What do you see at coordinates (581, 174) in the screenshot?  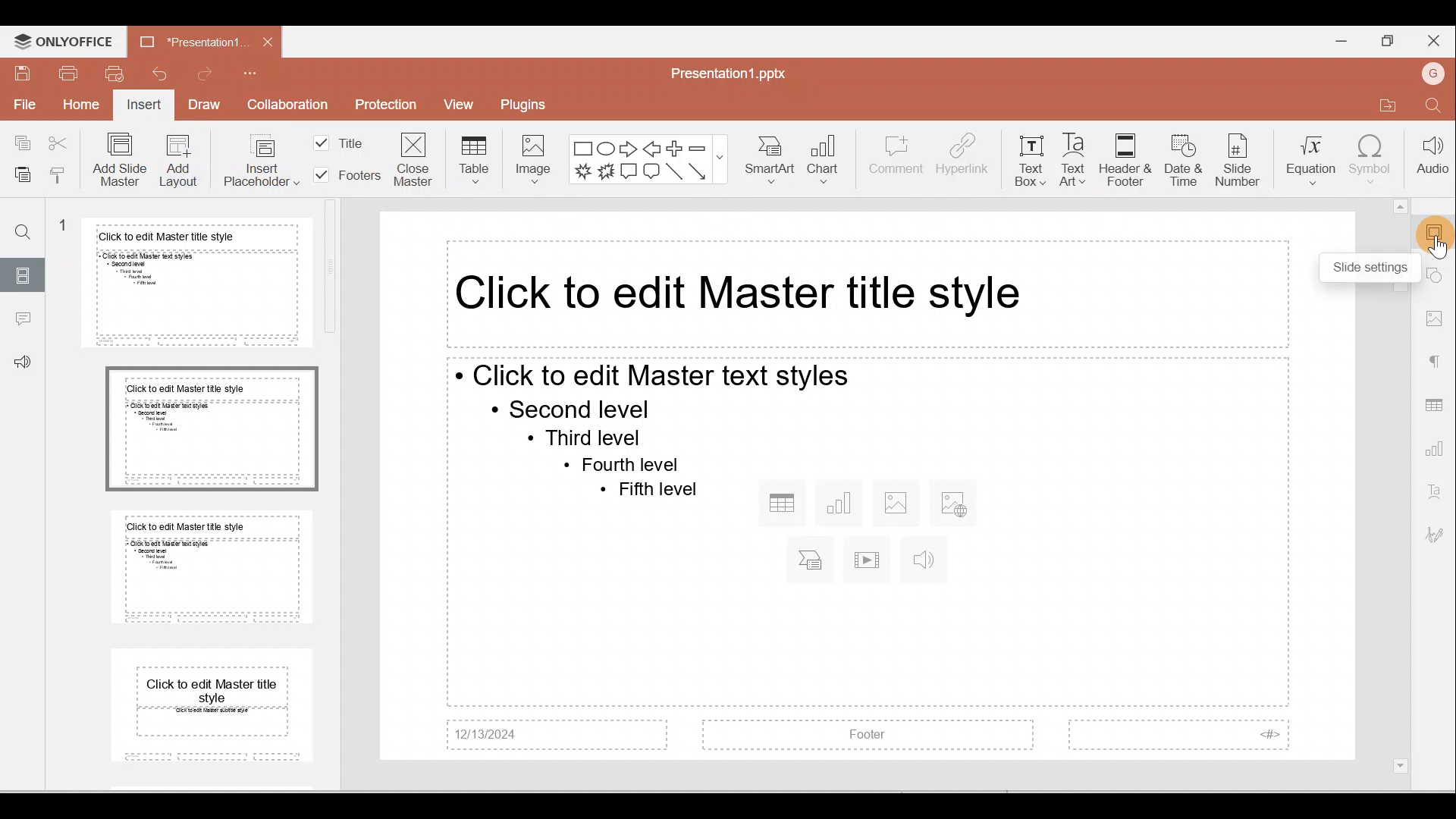 I see `Explosion 1` at bounding box center [581, 174].